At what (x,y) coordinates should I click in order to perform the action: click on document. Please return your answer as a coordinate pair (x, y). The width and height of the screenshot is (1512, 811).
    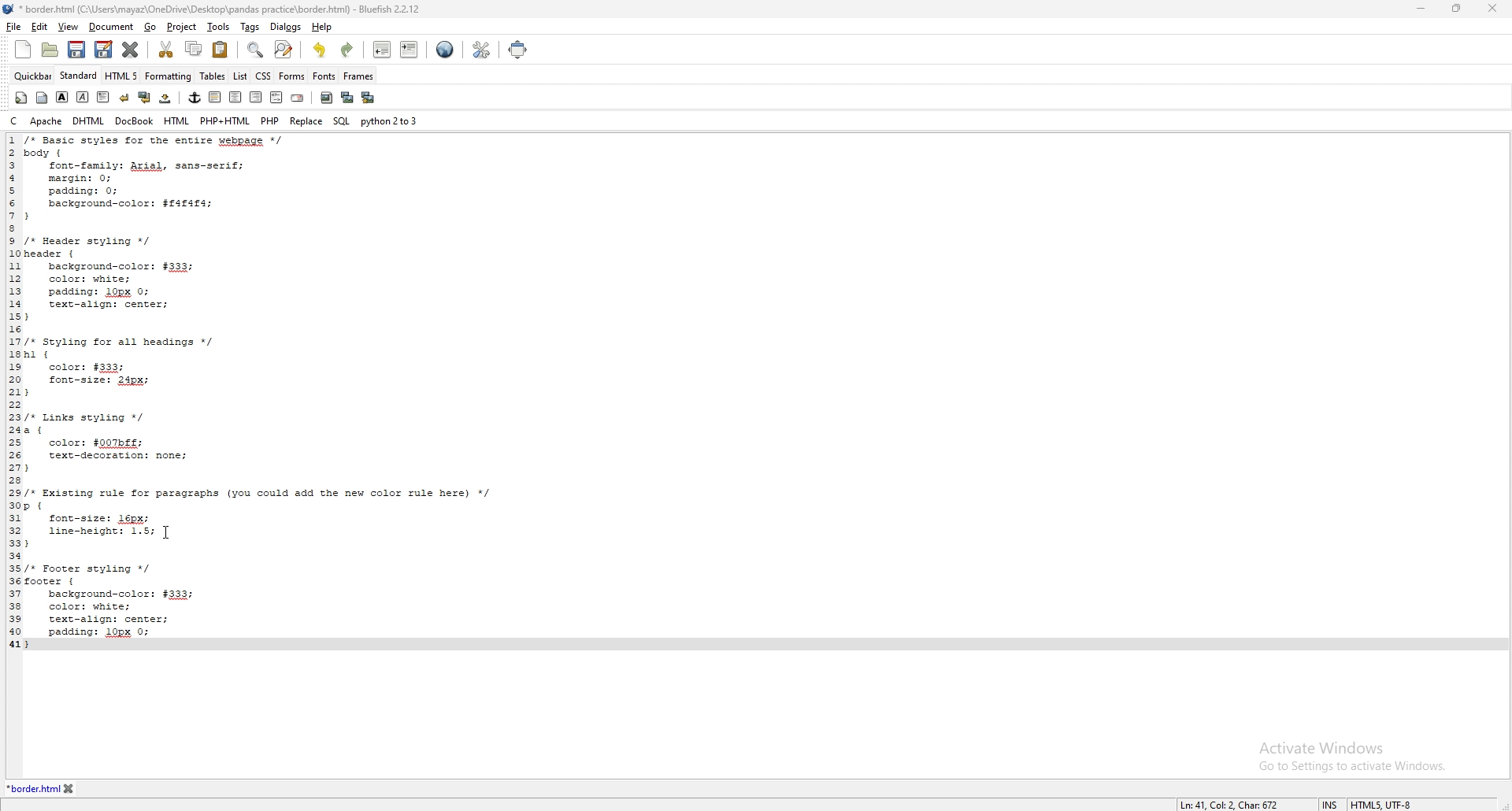
    Looking at the image, I should click on (110, 28).